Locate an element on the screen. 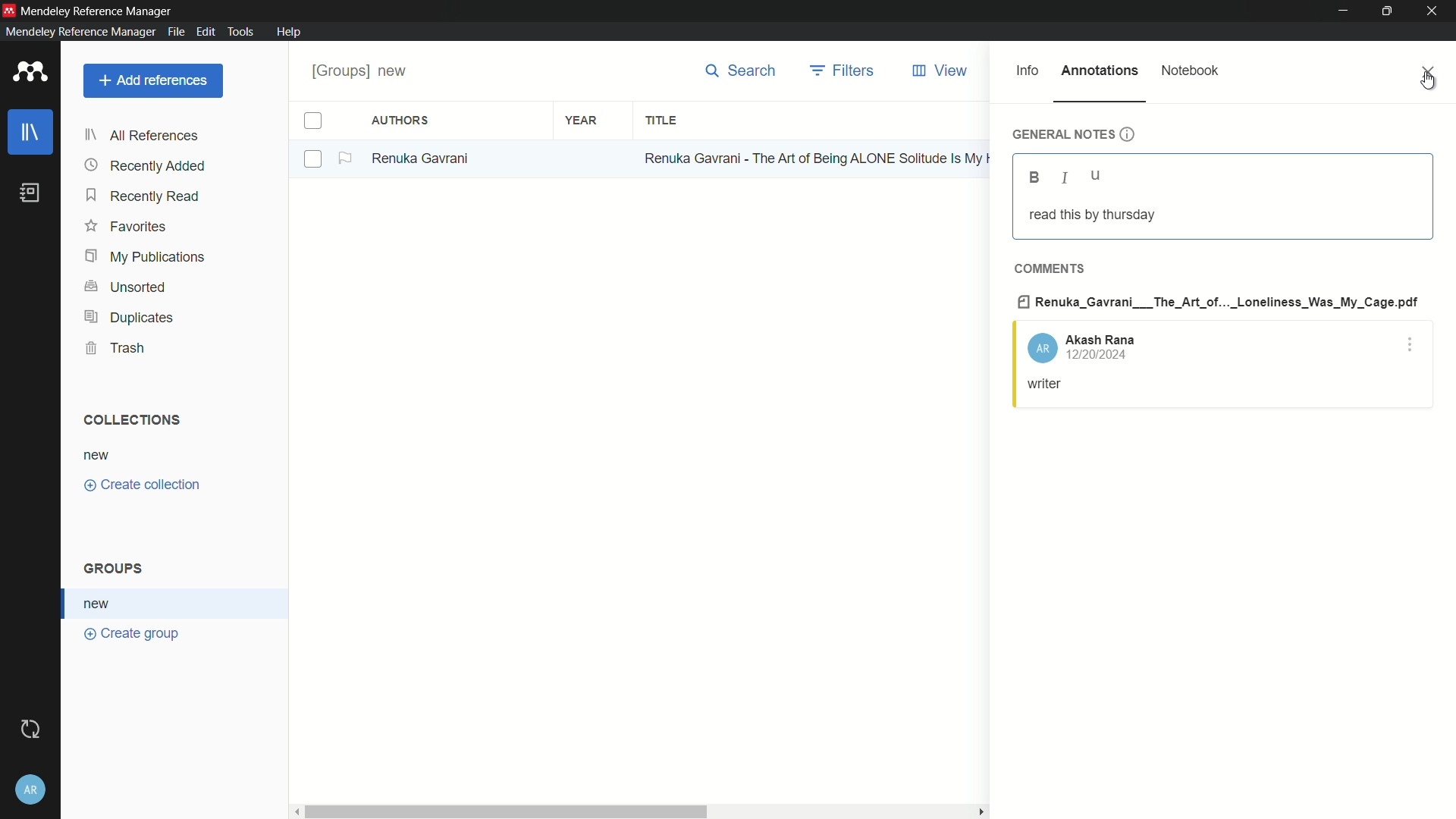  view is located at coordinates (943, 71).